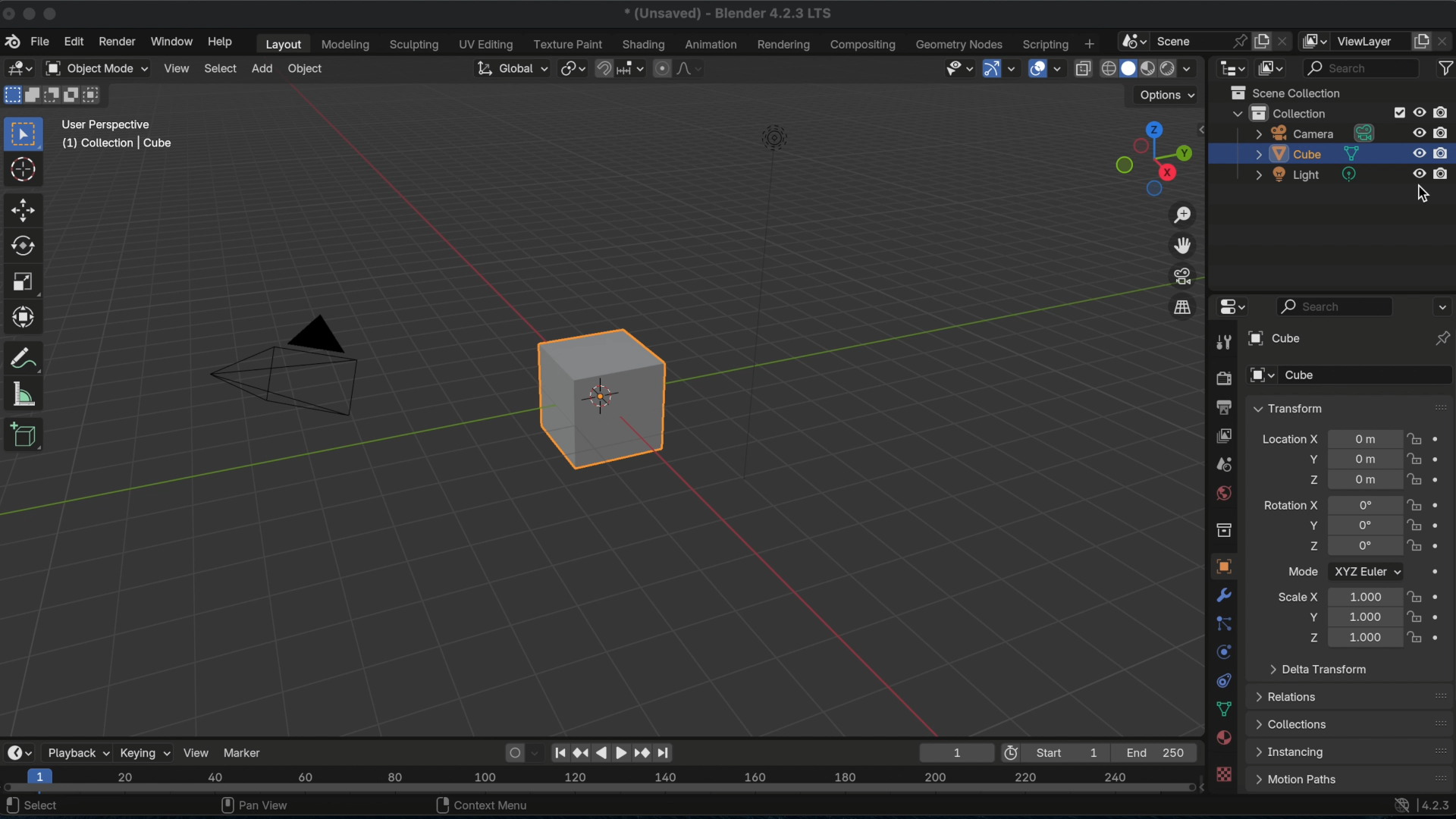 The width and height of the screenshot is (1456, 819). What do you see at coordinates (284, 43) in the screenshot?
I see `layout` at bounding box center [284, 43].